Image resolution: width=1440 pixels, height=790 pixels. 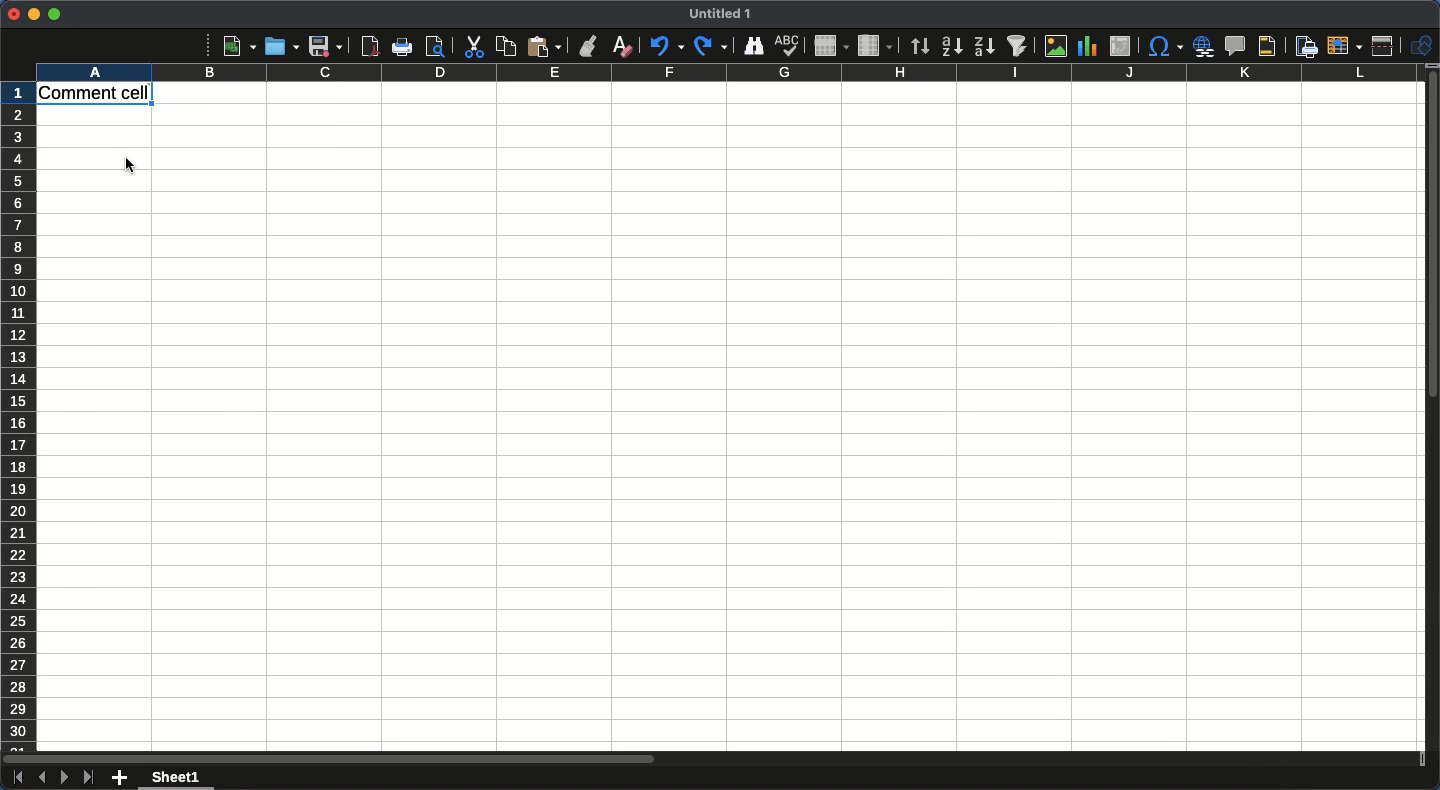 What do you see at coordinates (476, 44) in the screenshot?
I see `Cut` at bounding box center [476, 44].